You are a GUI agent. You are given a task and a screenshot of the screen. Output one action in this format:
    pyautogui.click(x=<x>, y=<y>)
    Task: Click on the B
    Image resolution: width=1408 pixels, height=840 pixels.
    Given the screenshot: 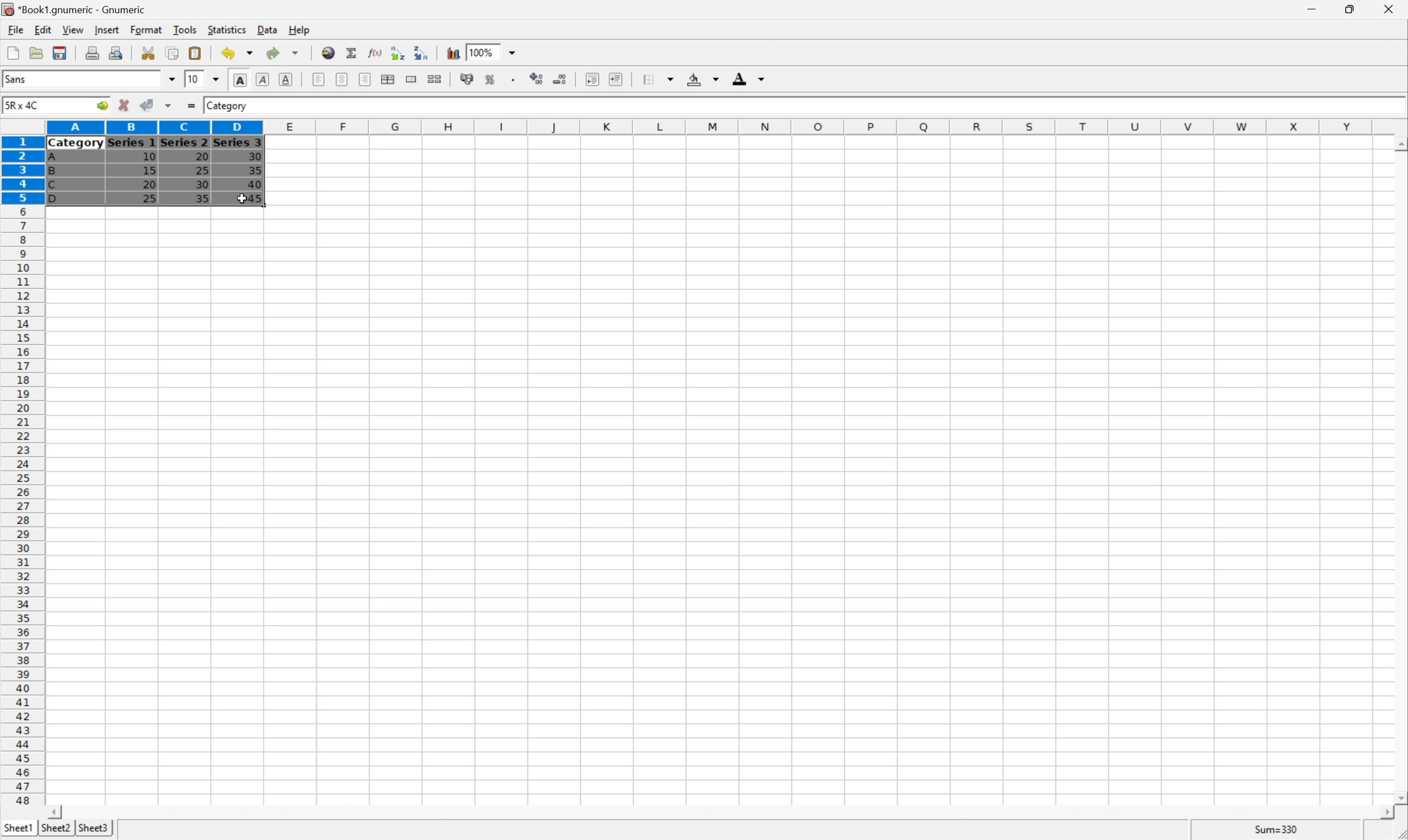 What is the action you would take?
    pyautogui.click(x=52, y=172)
    